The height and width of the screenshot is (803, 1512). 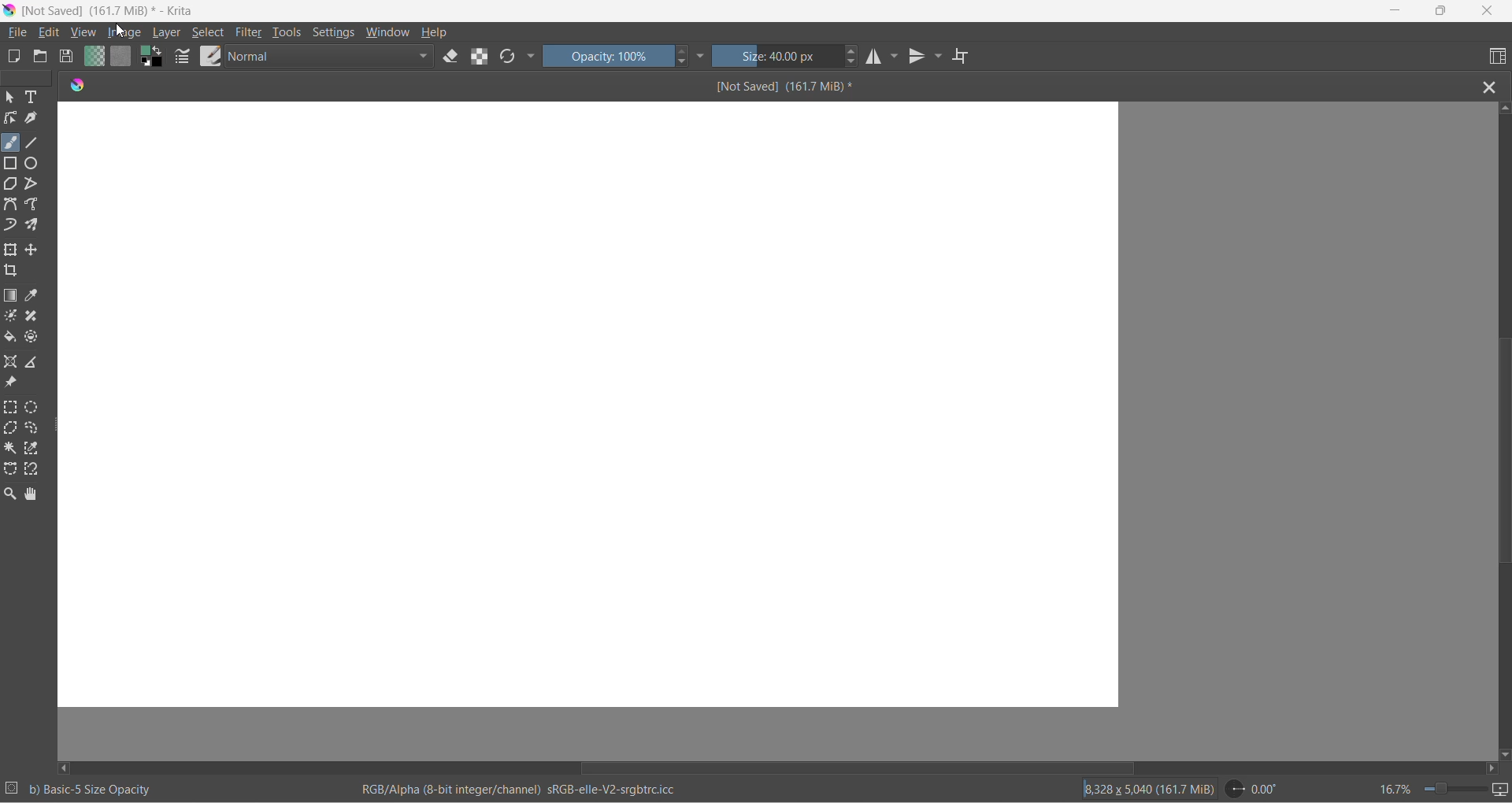 I want to click on wrap around mode, so click(x=968, y=57).